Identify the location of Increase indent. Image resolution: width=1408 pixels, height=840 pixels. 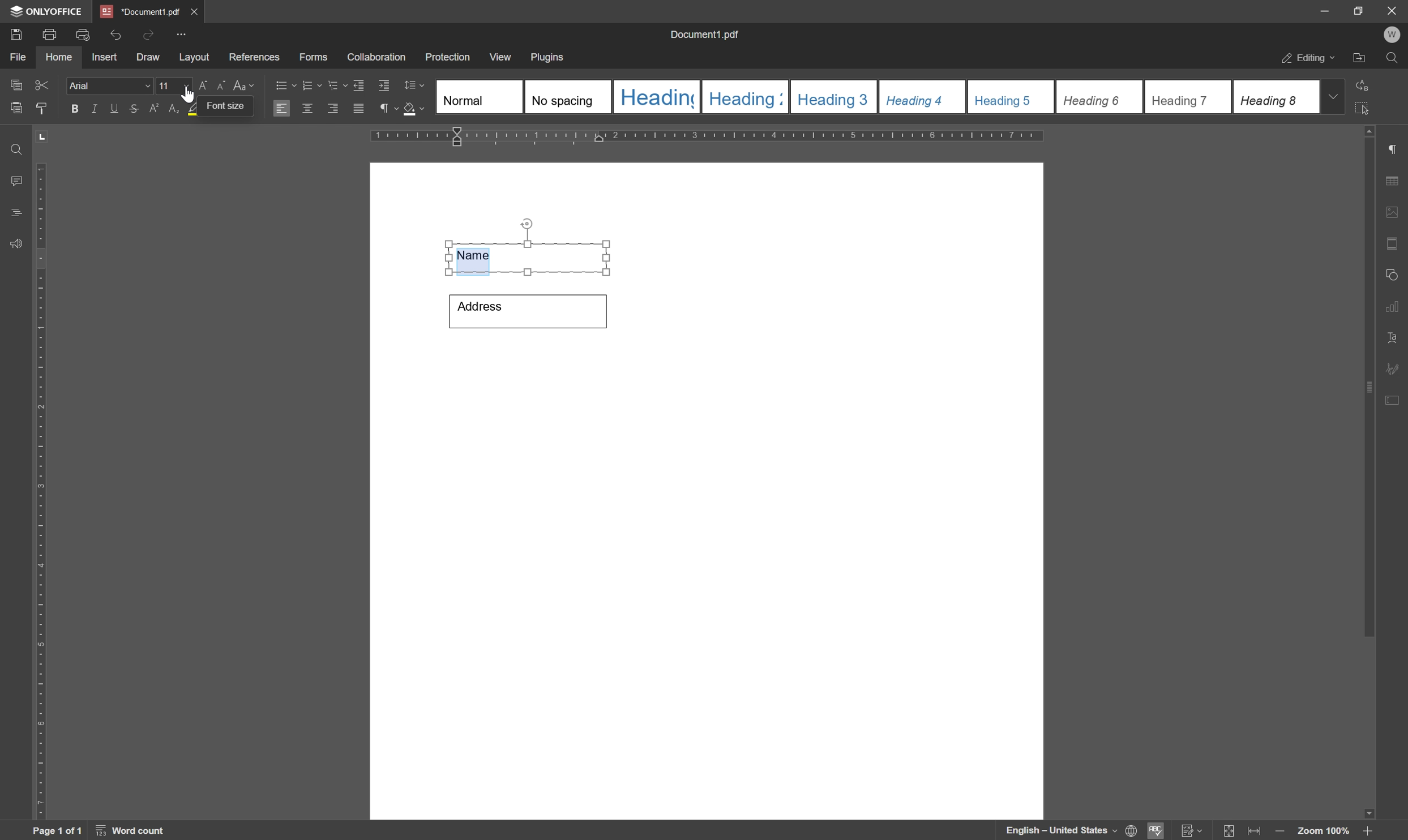
(386, 87).